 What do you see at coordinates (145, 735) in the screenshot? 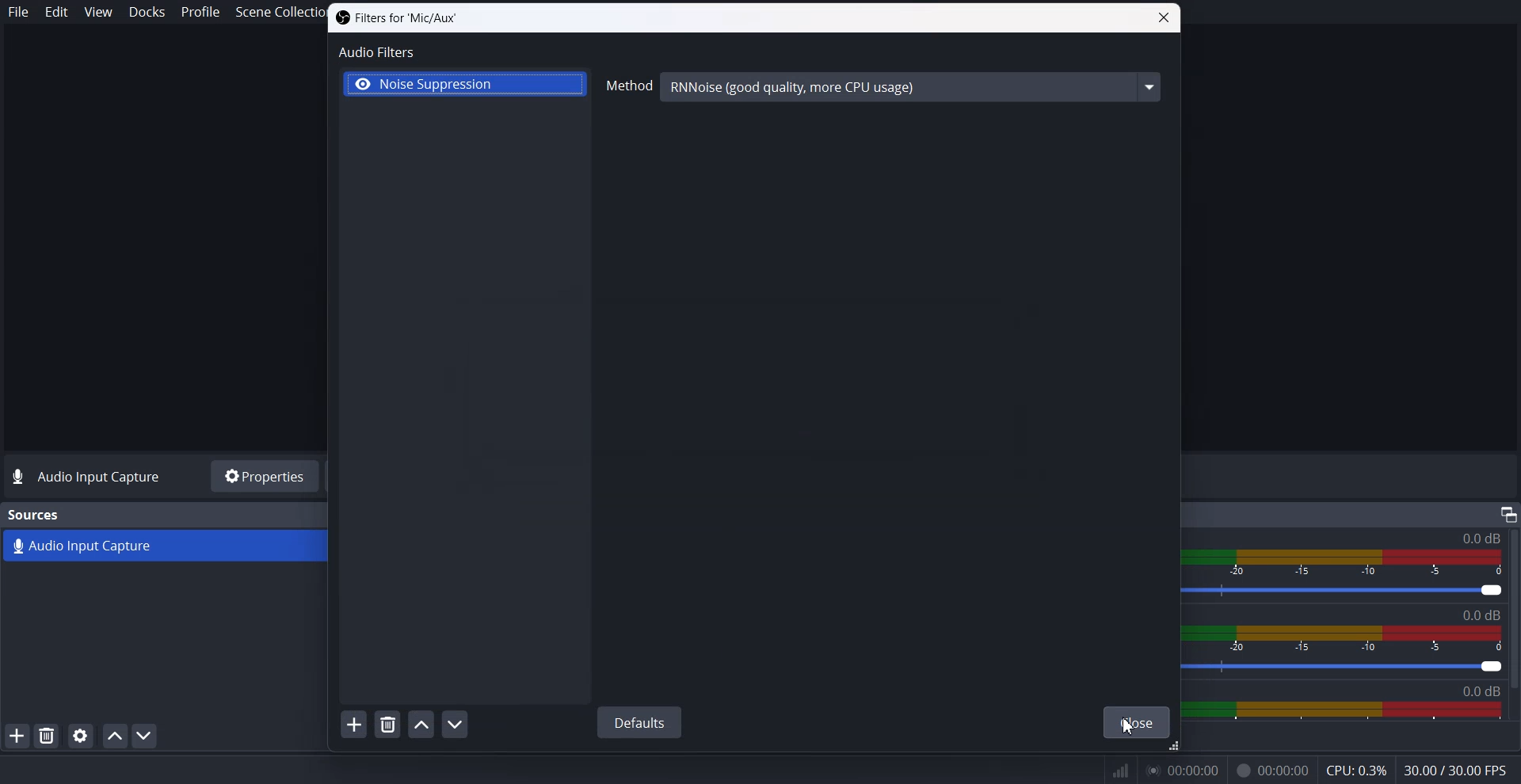
I see `Move Source down` at bounding box center [145, 735].